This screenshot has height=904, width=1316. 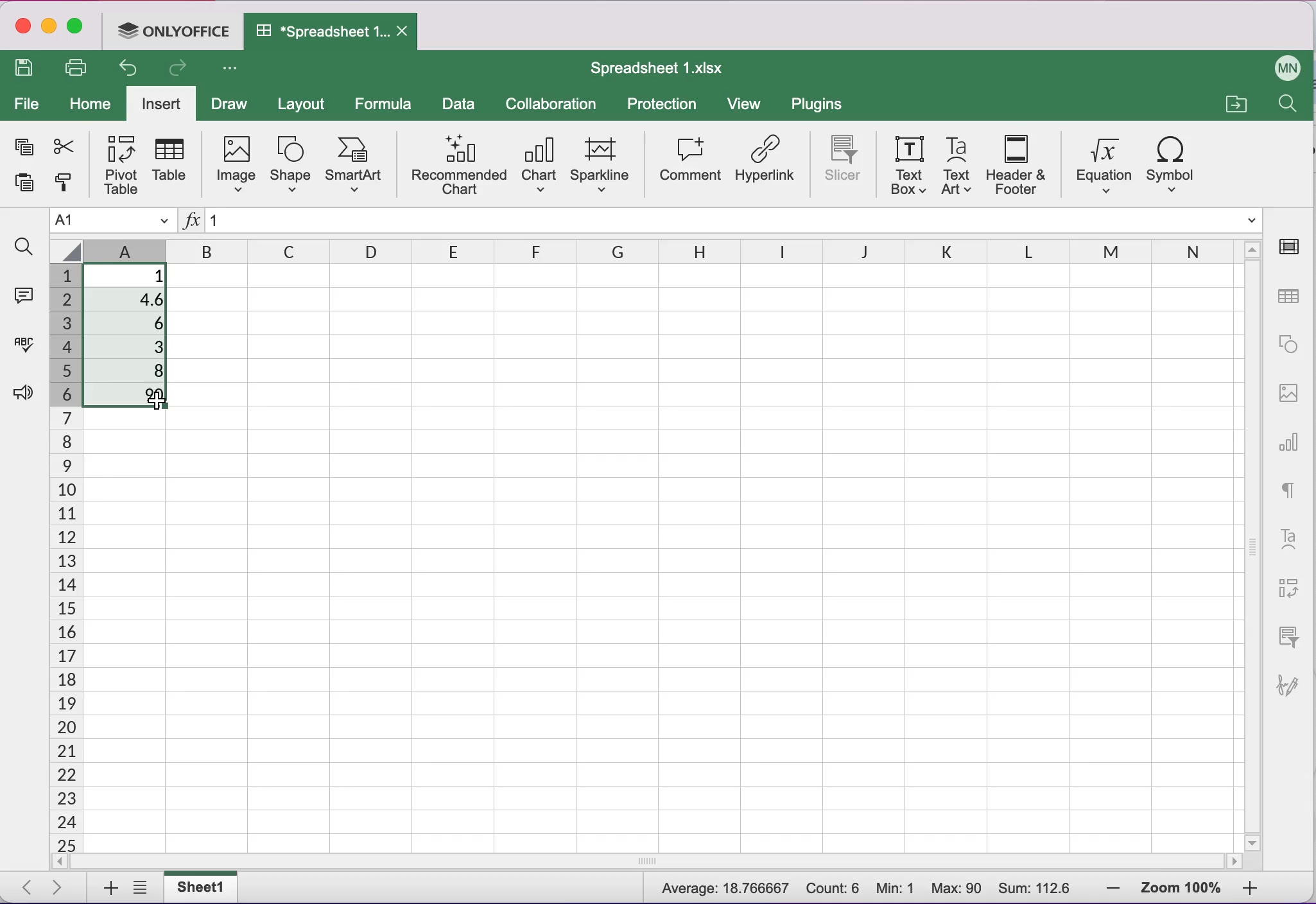 I want to click on feedback and support, so click(x=22, y=391).